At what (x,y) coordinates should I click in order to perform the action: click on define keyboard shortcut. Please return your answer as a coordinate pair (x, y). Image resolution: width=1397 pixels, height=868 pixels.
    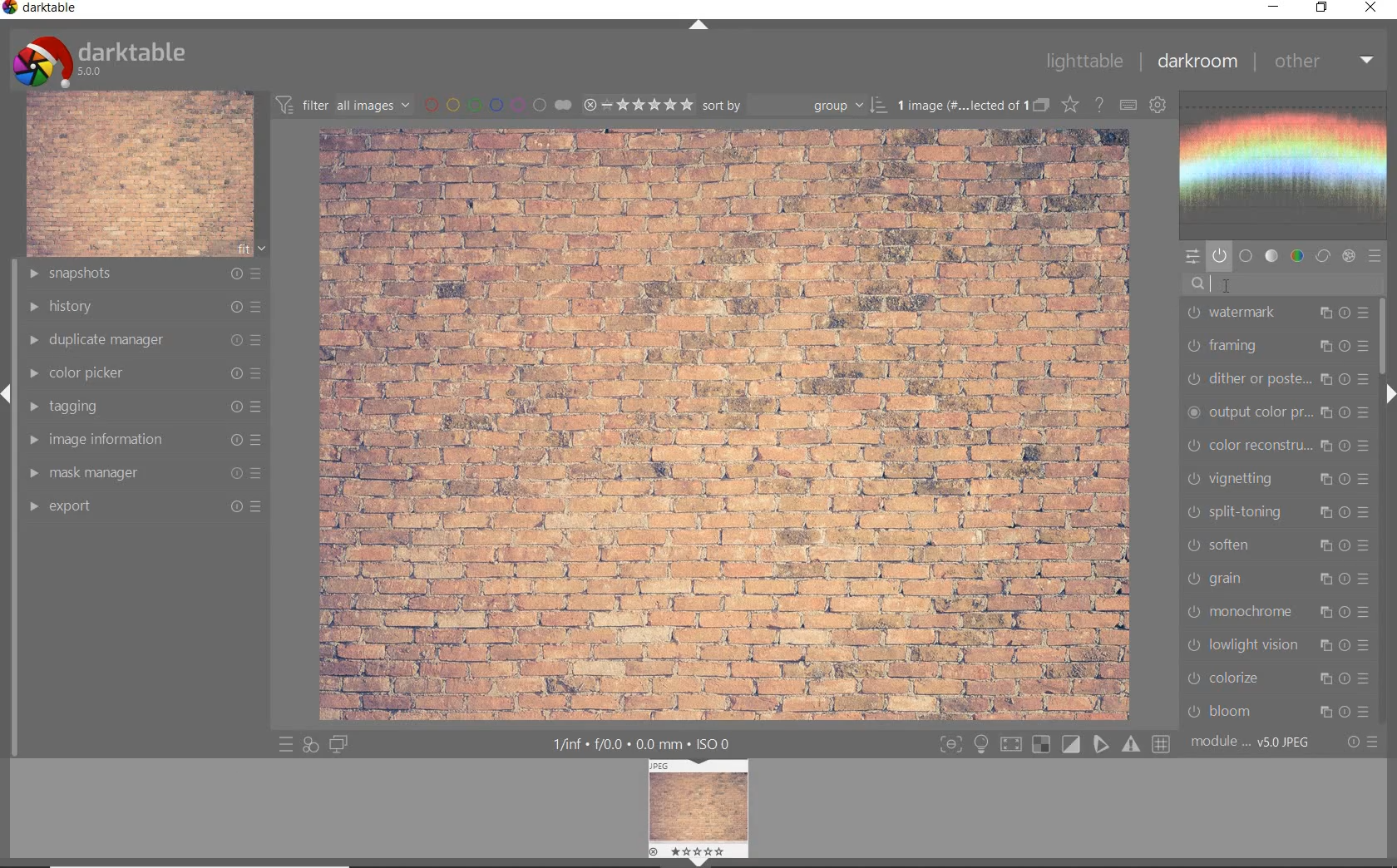
    Looking at the image, I should click on (1127, 106).